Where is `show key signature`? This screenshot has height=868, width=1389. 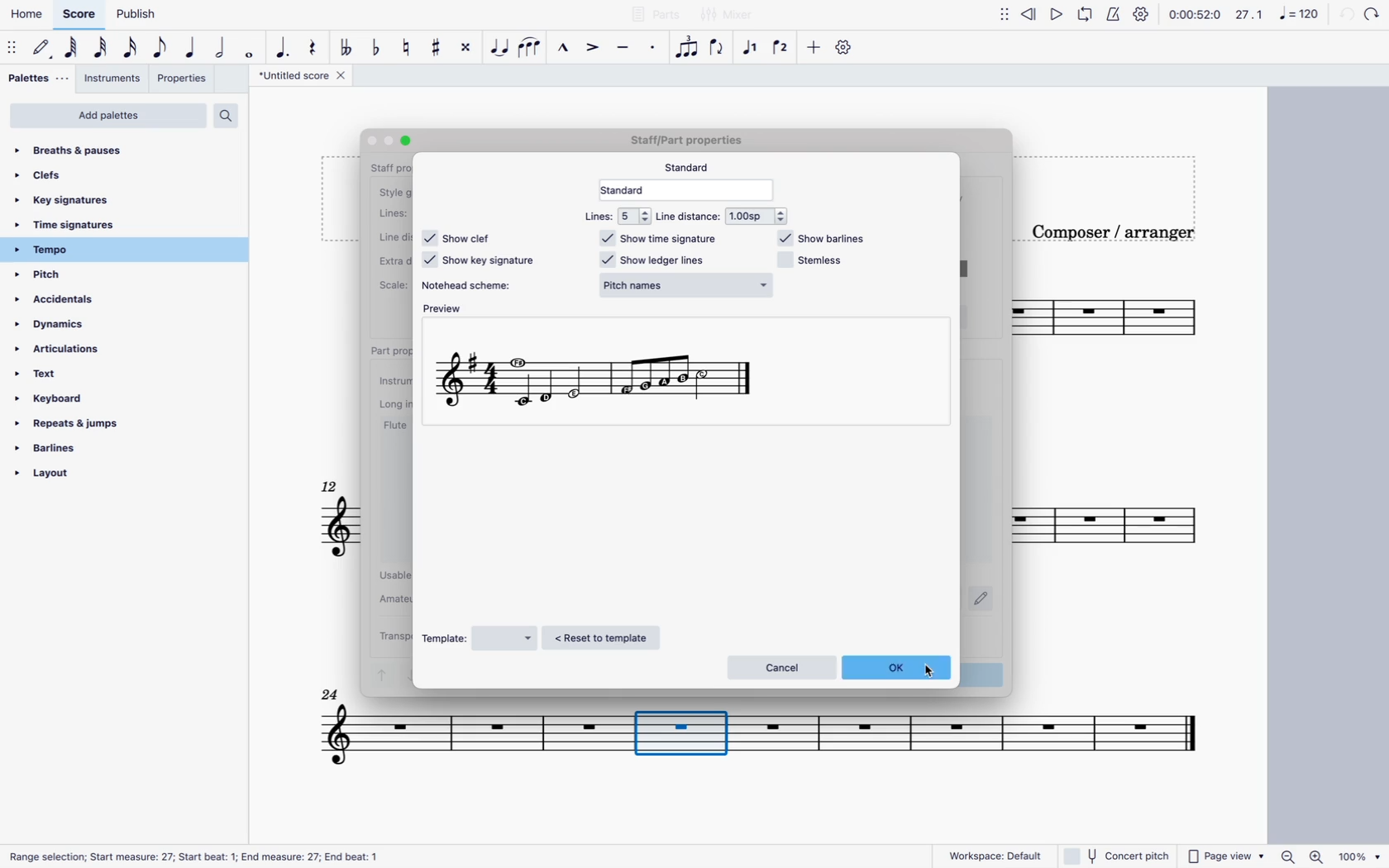 show key signature is located at coordinates (480, 261).